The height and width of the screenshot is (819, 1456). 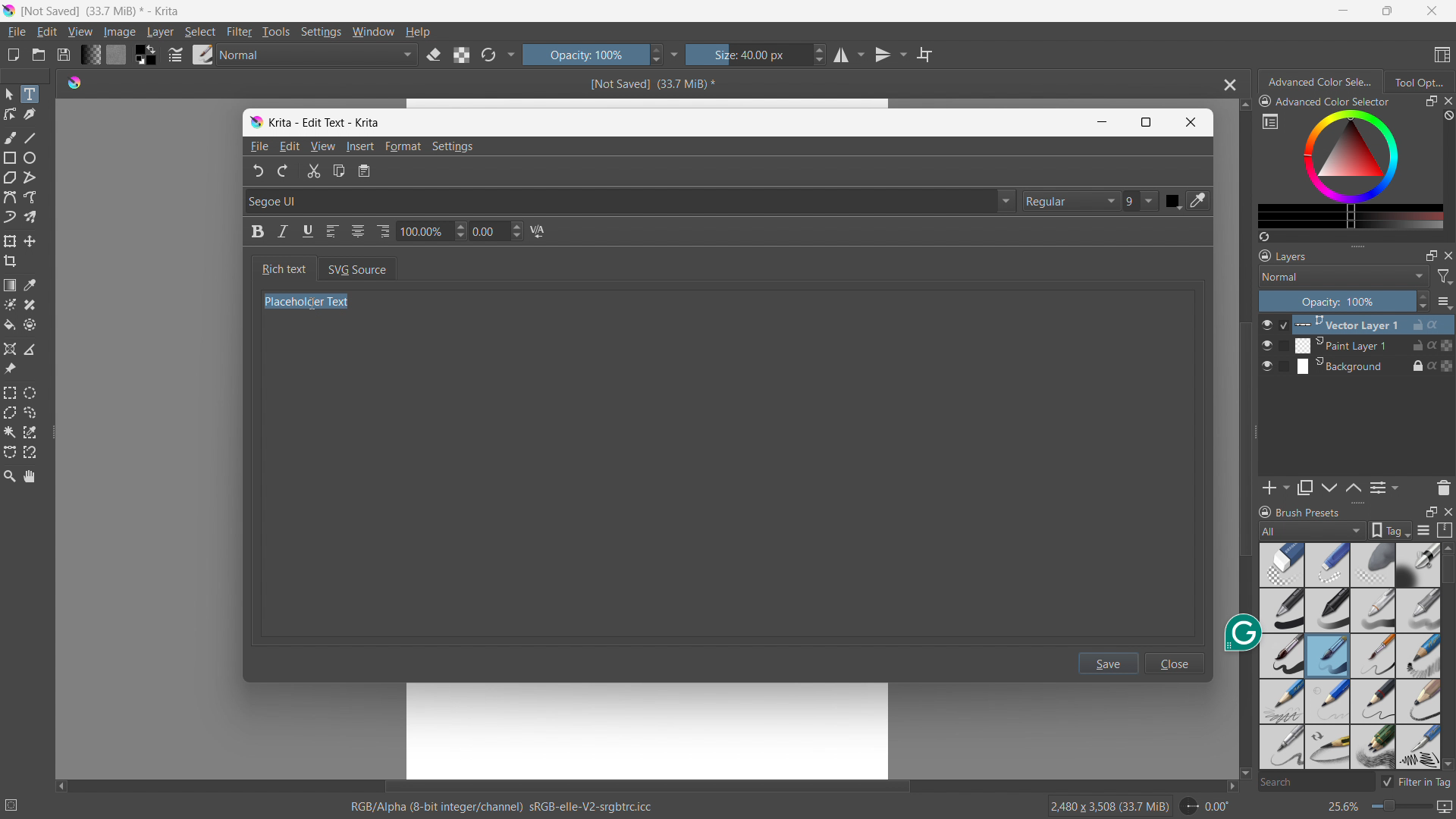 What do you see at coordinates (1069, 199) in the screenshot?
I see `font style` at bounding box center [1069, 199].